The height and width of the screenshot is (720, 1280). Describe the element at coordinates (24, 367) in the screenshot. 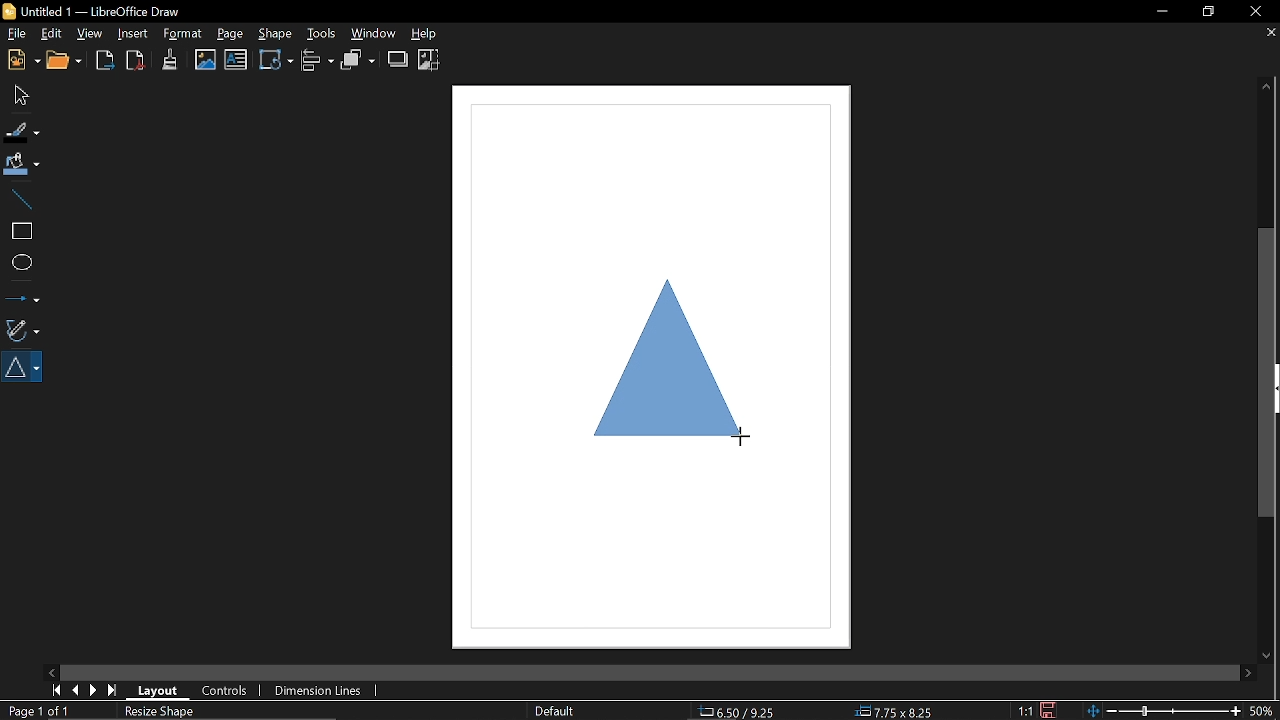

I see `Basic shapes` at that location.